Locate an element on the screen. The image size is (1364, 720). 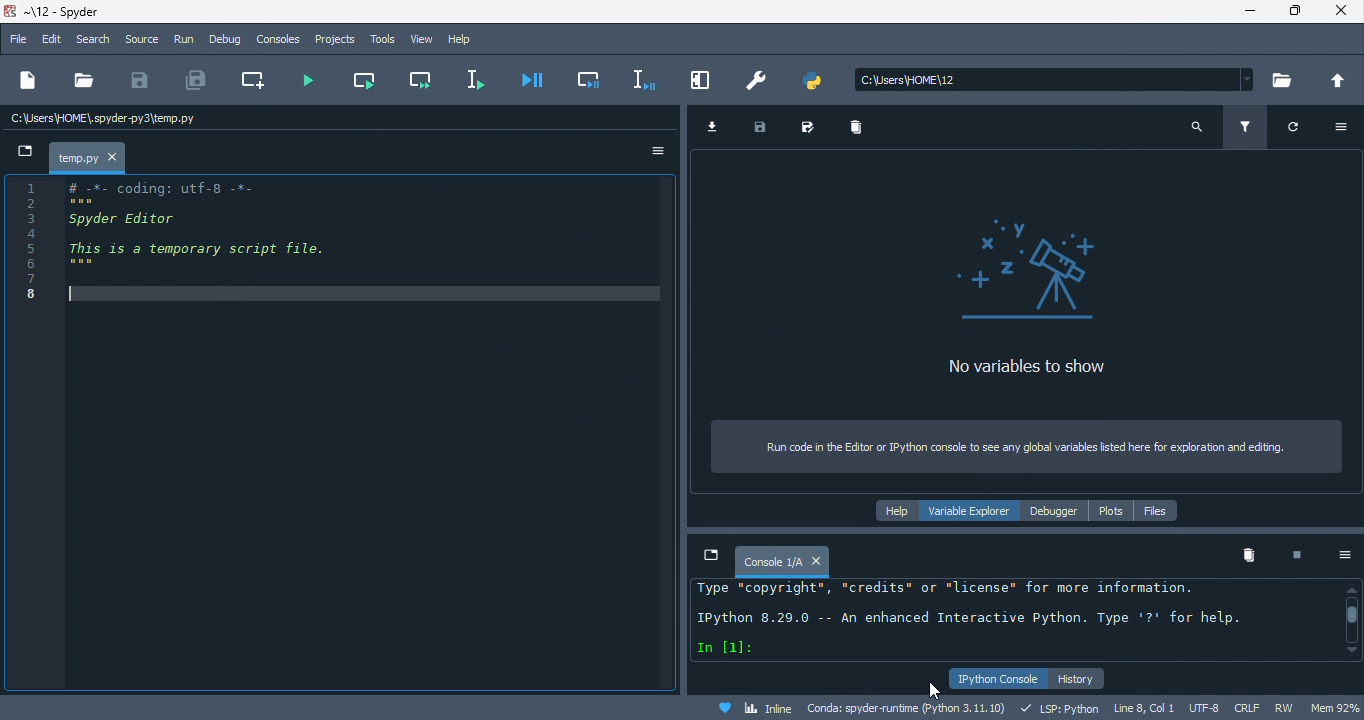
maximize is located at coordinates (1293, 14).